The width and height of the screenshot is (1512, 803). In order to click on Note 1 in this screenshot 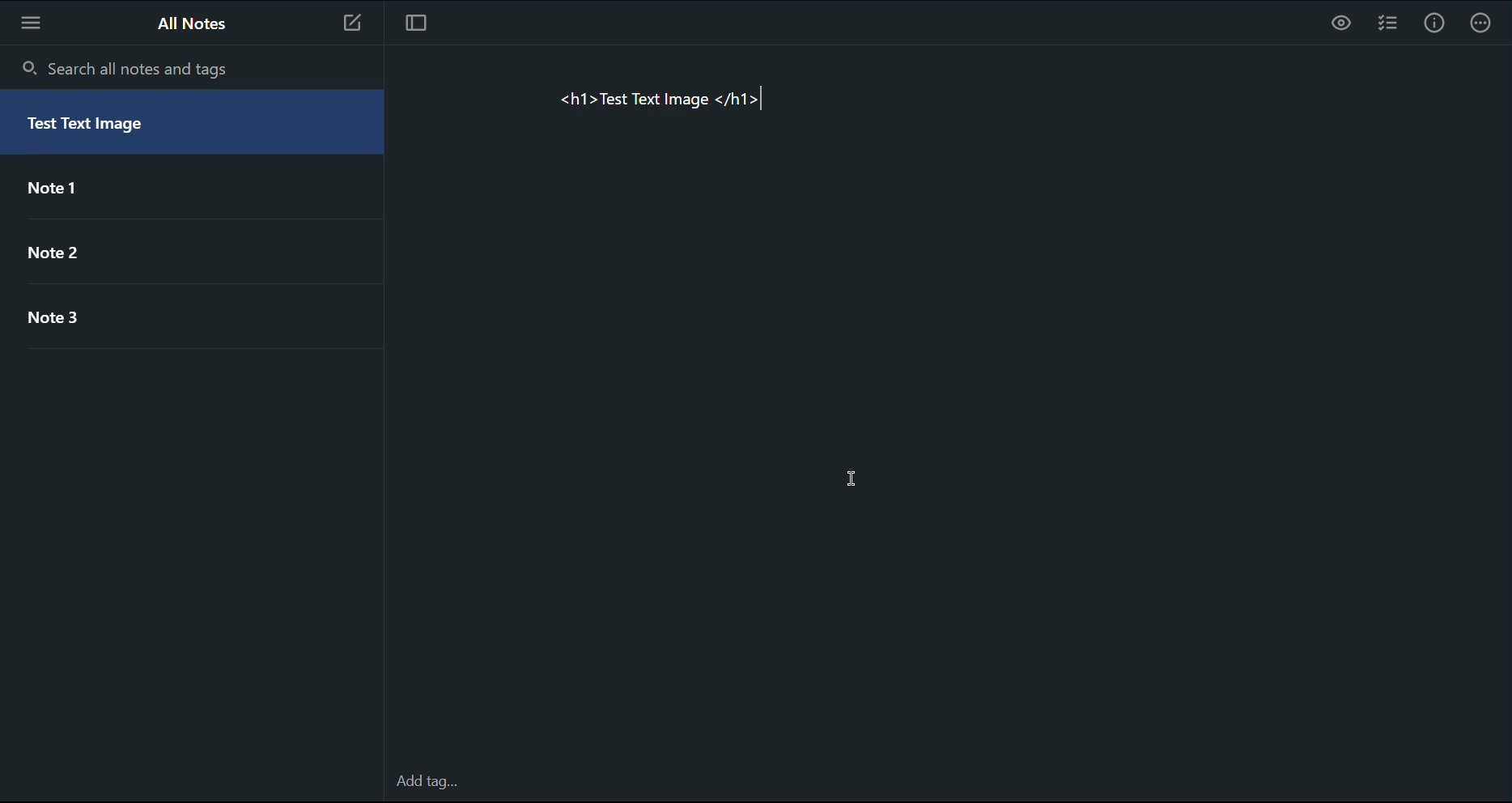, I will do `click(70, 193)`.